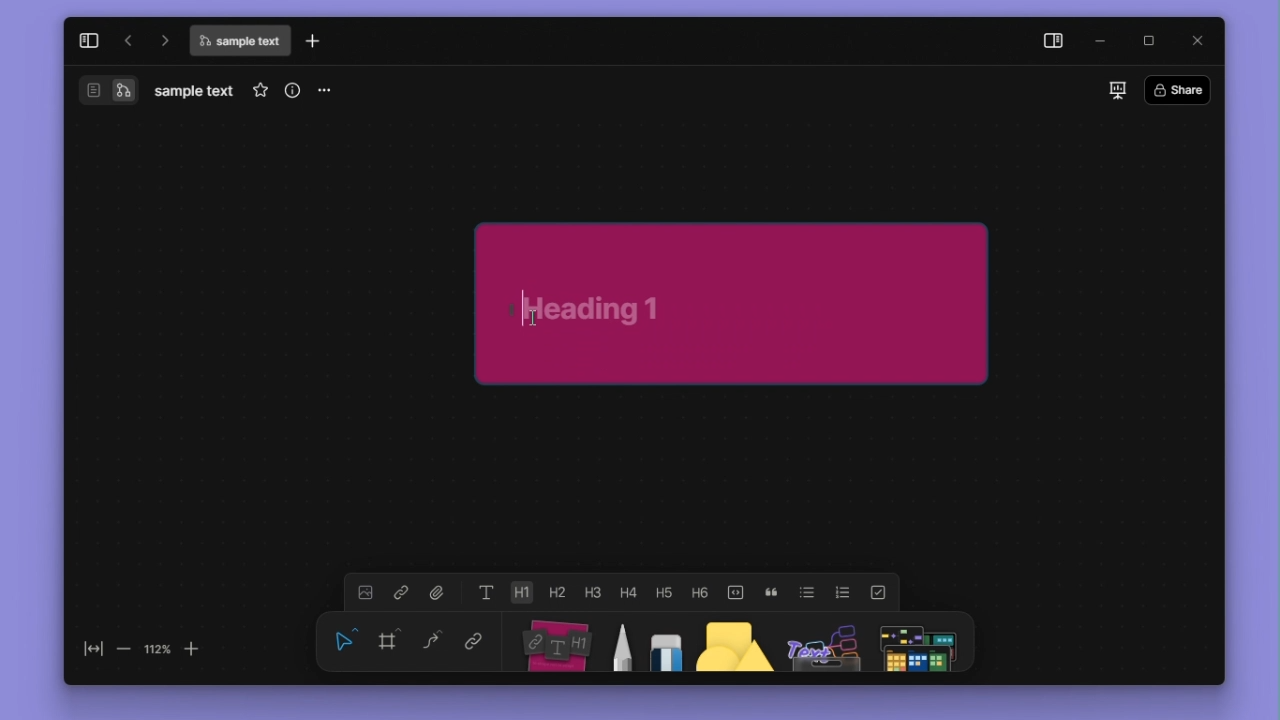 Image resolution: width=1280 pixels, height=720 pixels. Describe the element at coordinates (260, 90) in the screenshot. I see `favourite` at that location.